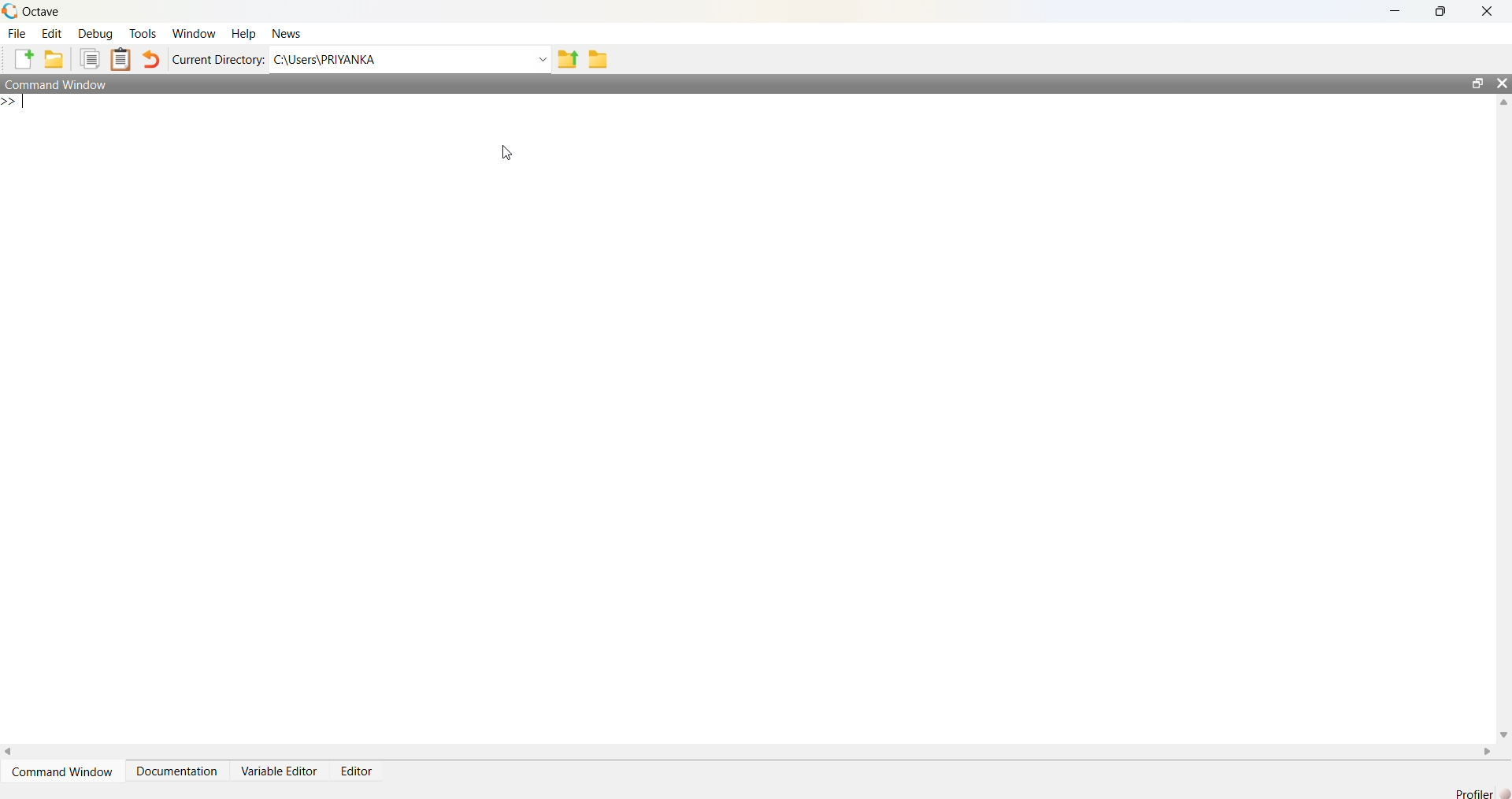 The image size is (1512, 799). What do you see at coordinates (280, 771) in the screenshot?
I see `Variable Editor` at bounding box center [280, 771].